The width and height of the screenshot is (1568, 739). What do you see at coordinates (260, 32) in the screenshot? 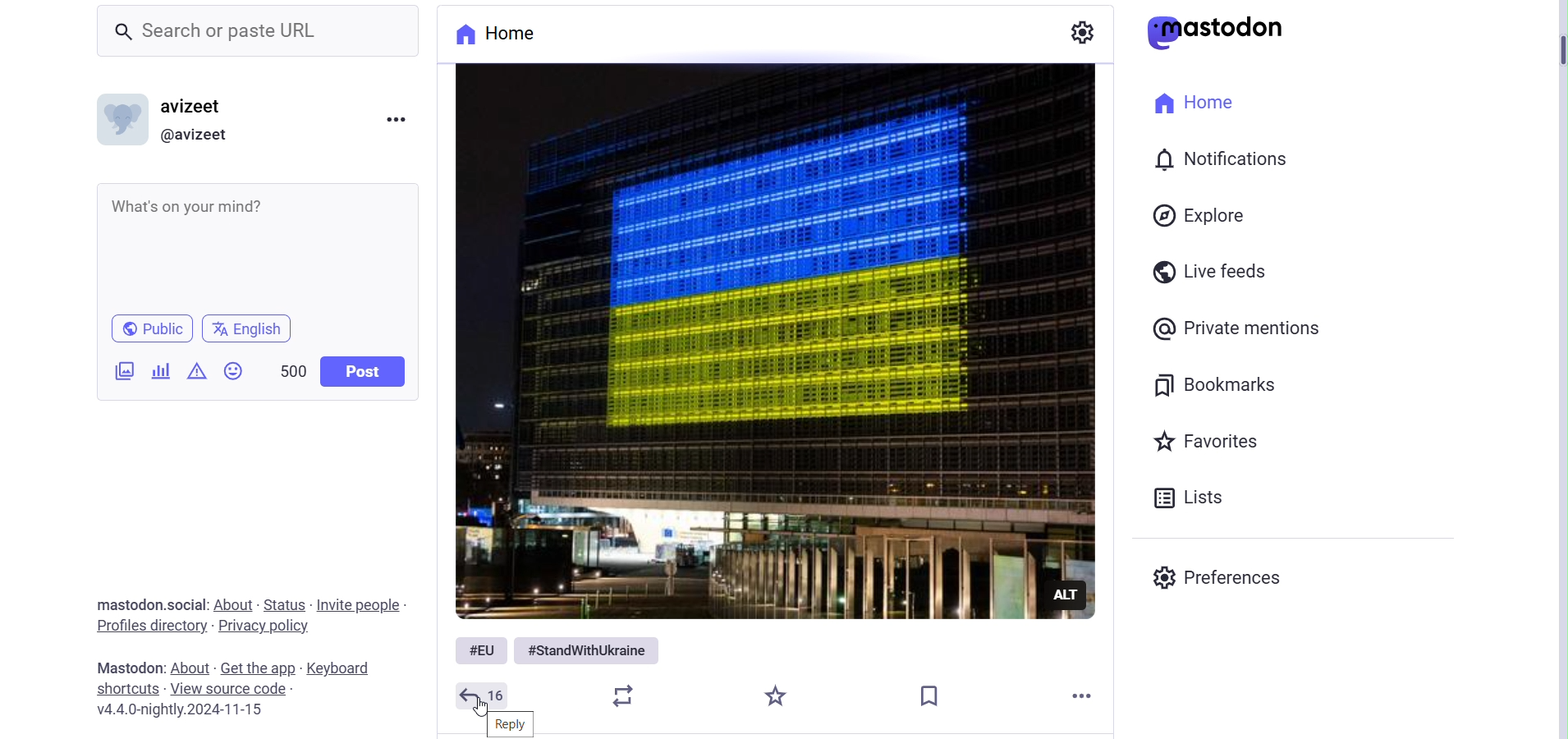
I see `Search` at bounding box center [260, 32].